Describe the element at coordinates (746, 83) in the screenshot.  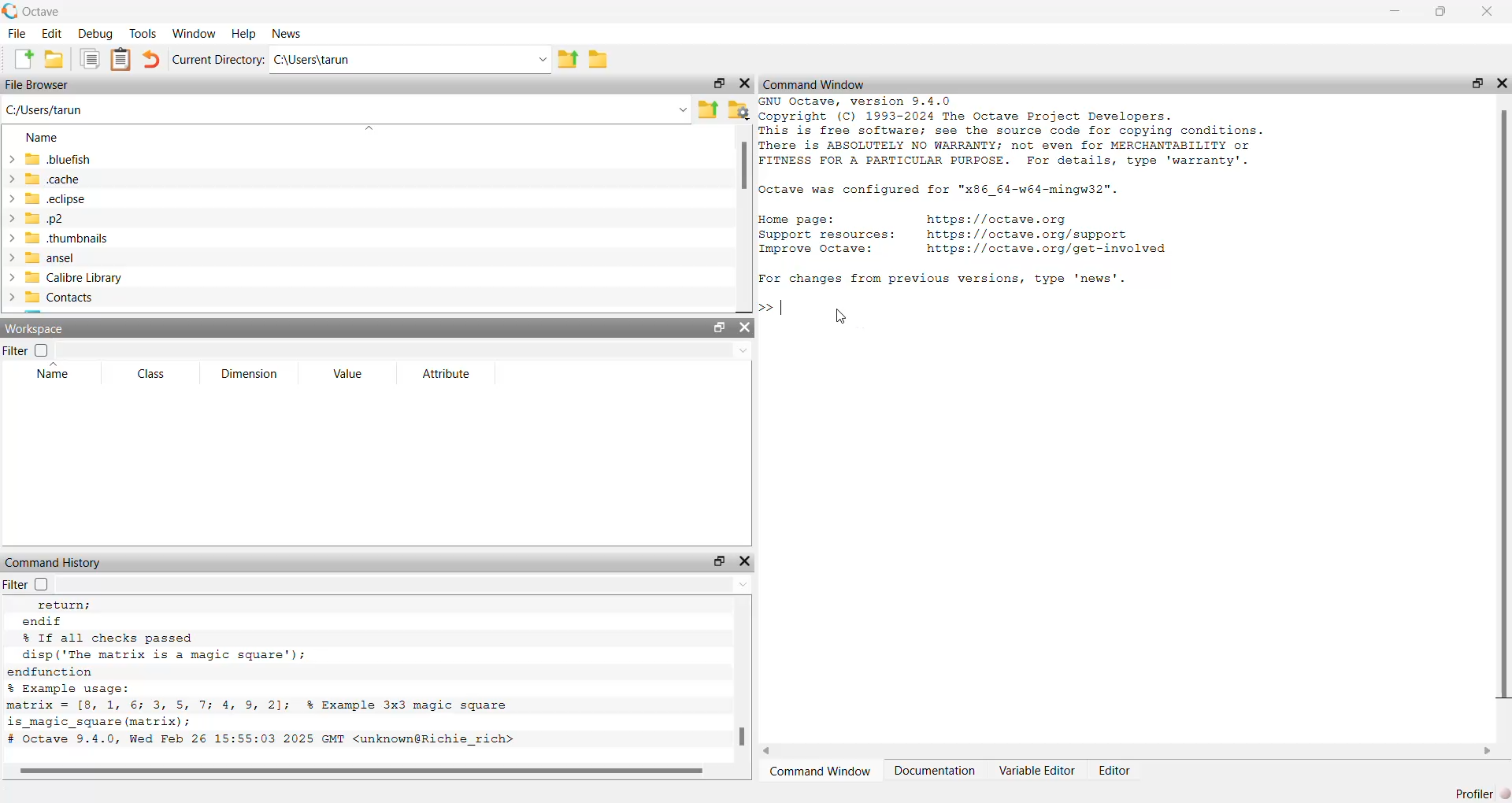
I see `close` at that location.